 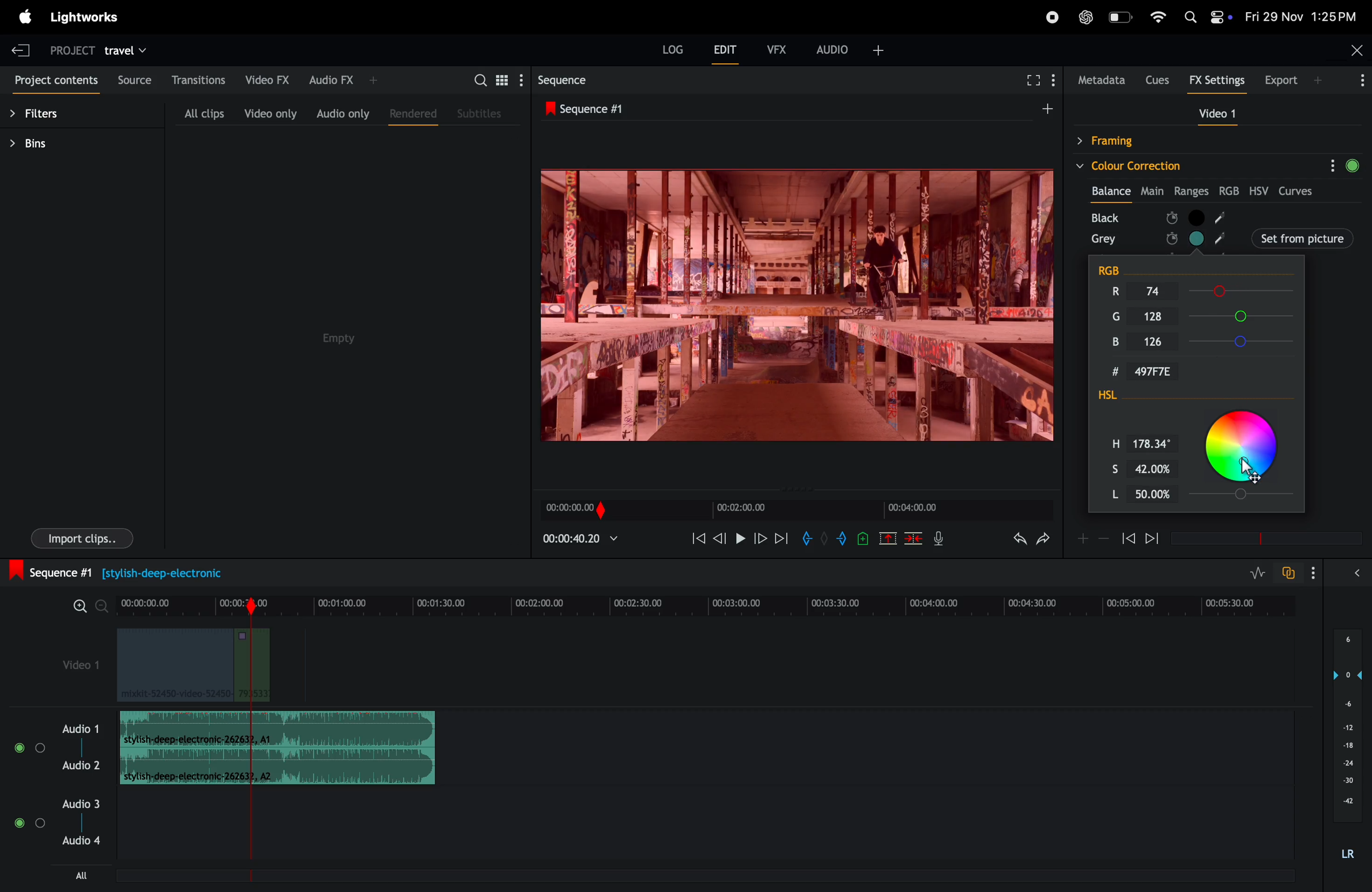 What do you see at coordinates (1128, 539) in the screenshot?
I see `rewind` at bounding box center [1128, 539].